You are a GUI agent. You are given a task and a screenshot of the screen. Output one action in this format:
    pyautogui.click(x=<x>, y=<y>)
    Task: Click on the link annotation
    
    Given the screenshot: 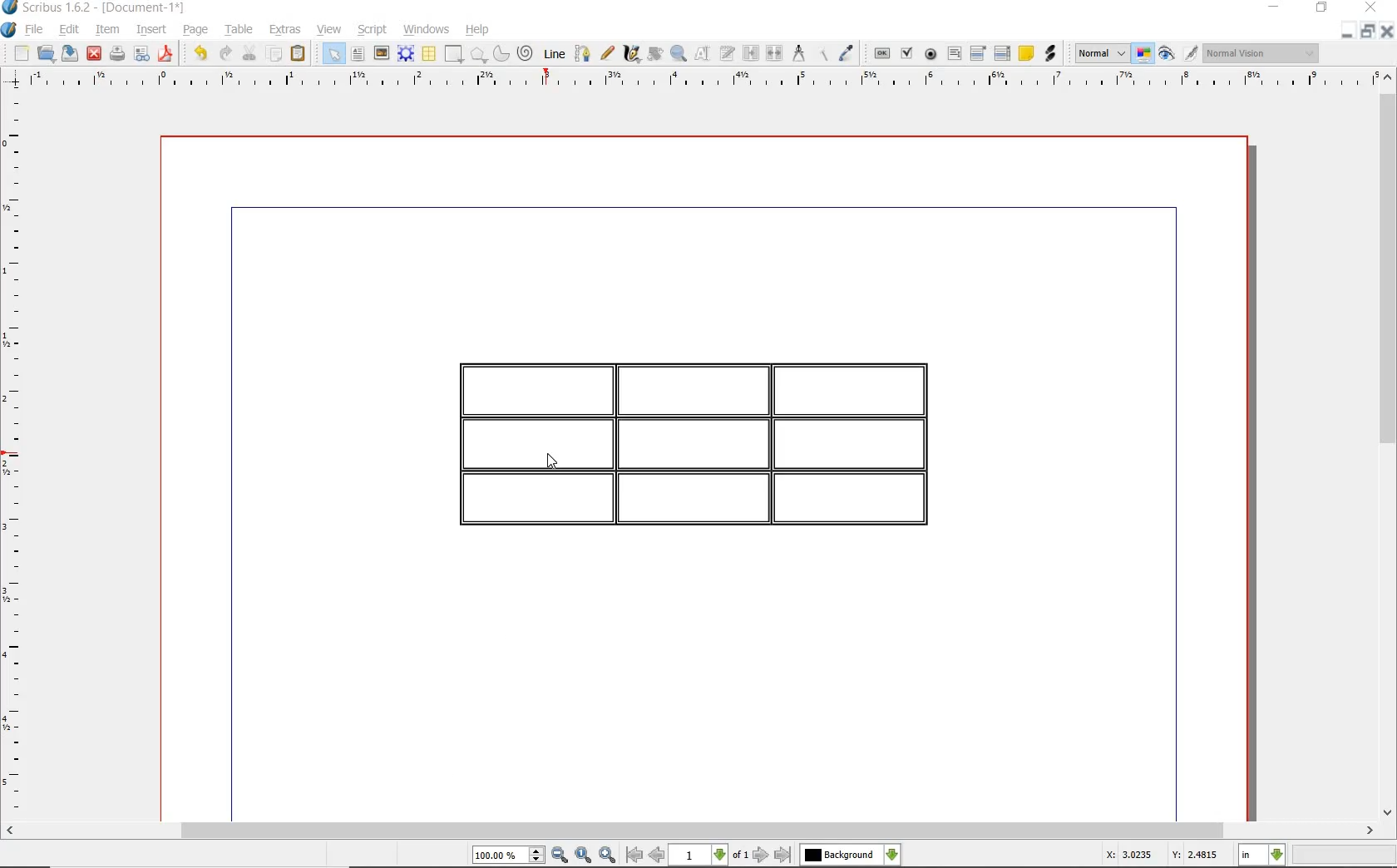 What is the action you would take?
    pyautogui.click(x=1051, y=54)
    